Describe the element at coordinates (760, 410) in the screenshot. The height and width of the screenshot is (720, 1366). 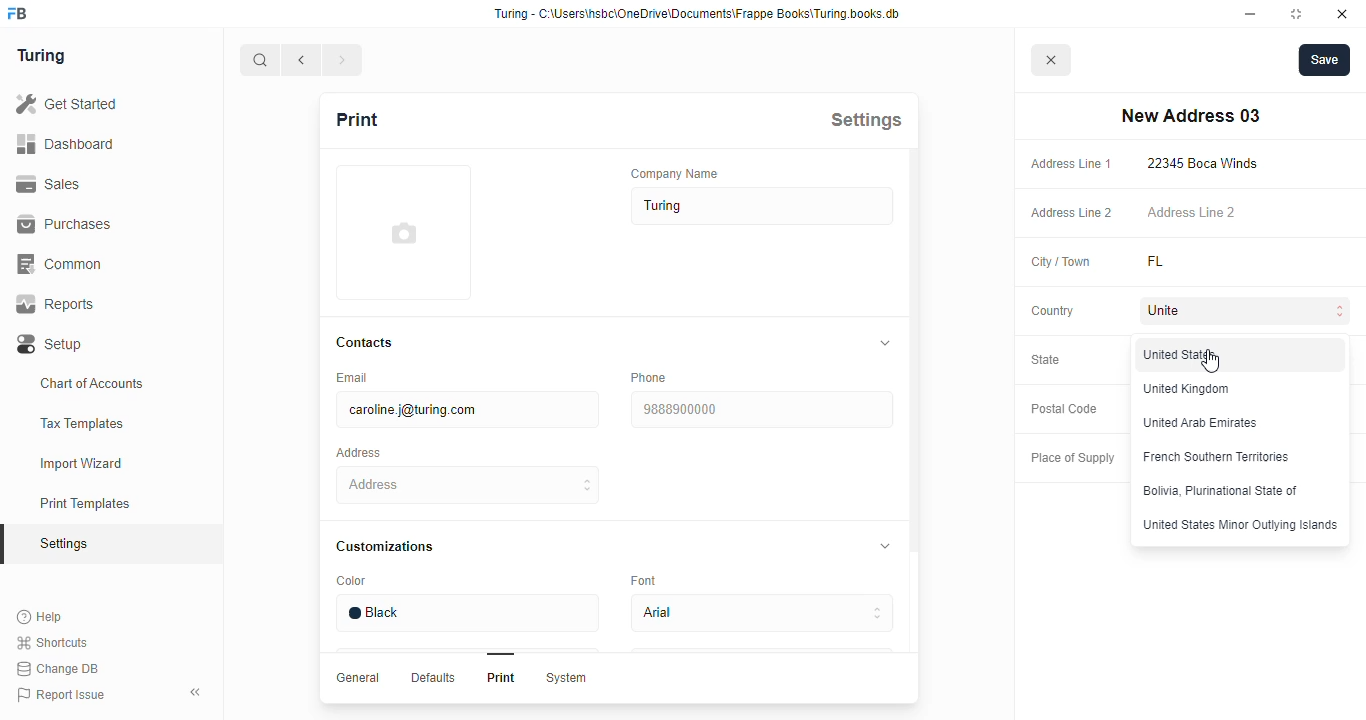
I see `9888900000` at that location.